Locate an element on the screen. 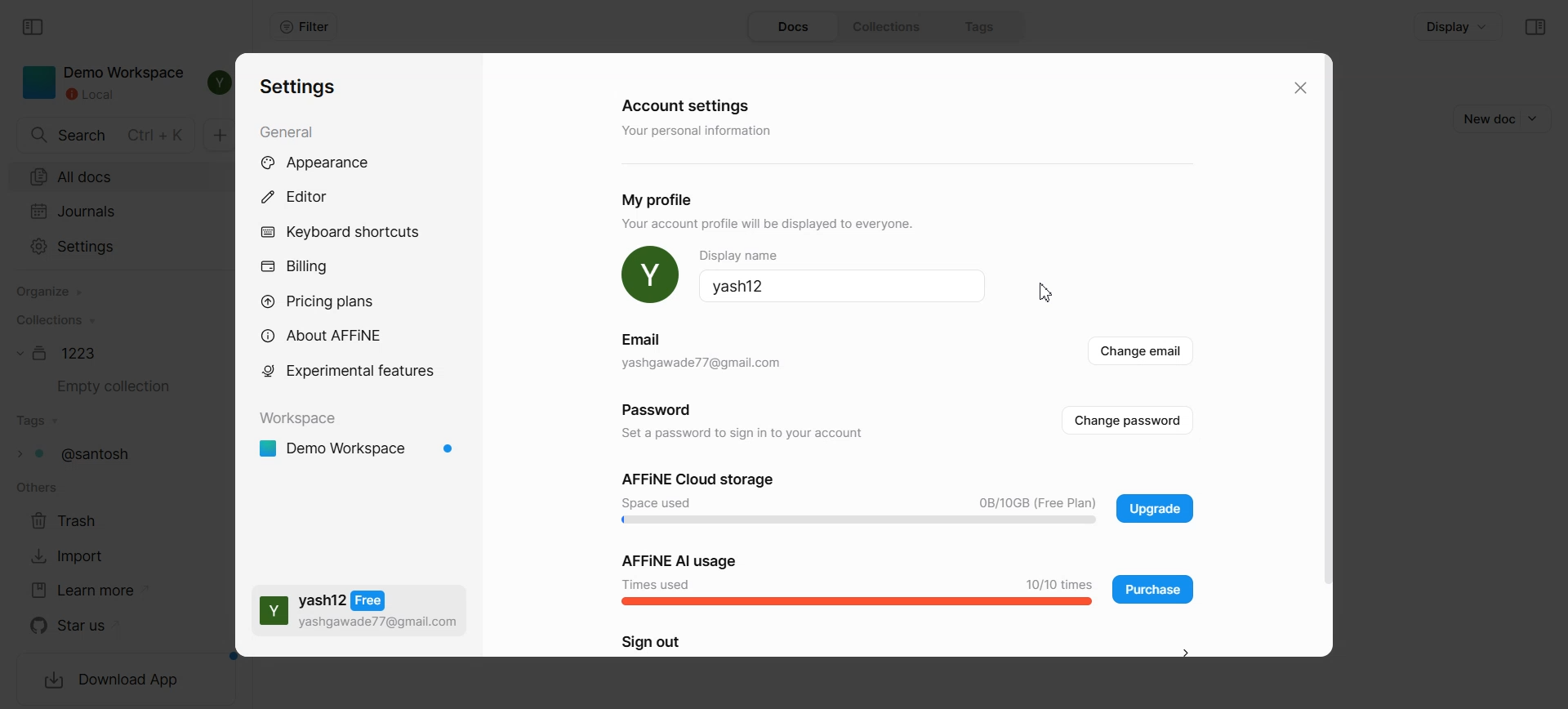 The image size is (1568, 709). Email yashgawade77@gmail.com is located at coordinates (695, 352).